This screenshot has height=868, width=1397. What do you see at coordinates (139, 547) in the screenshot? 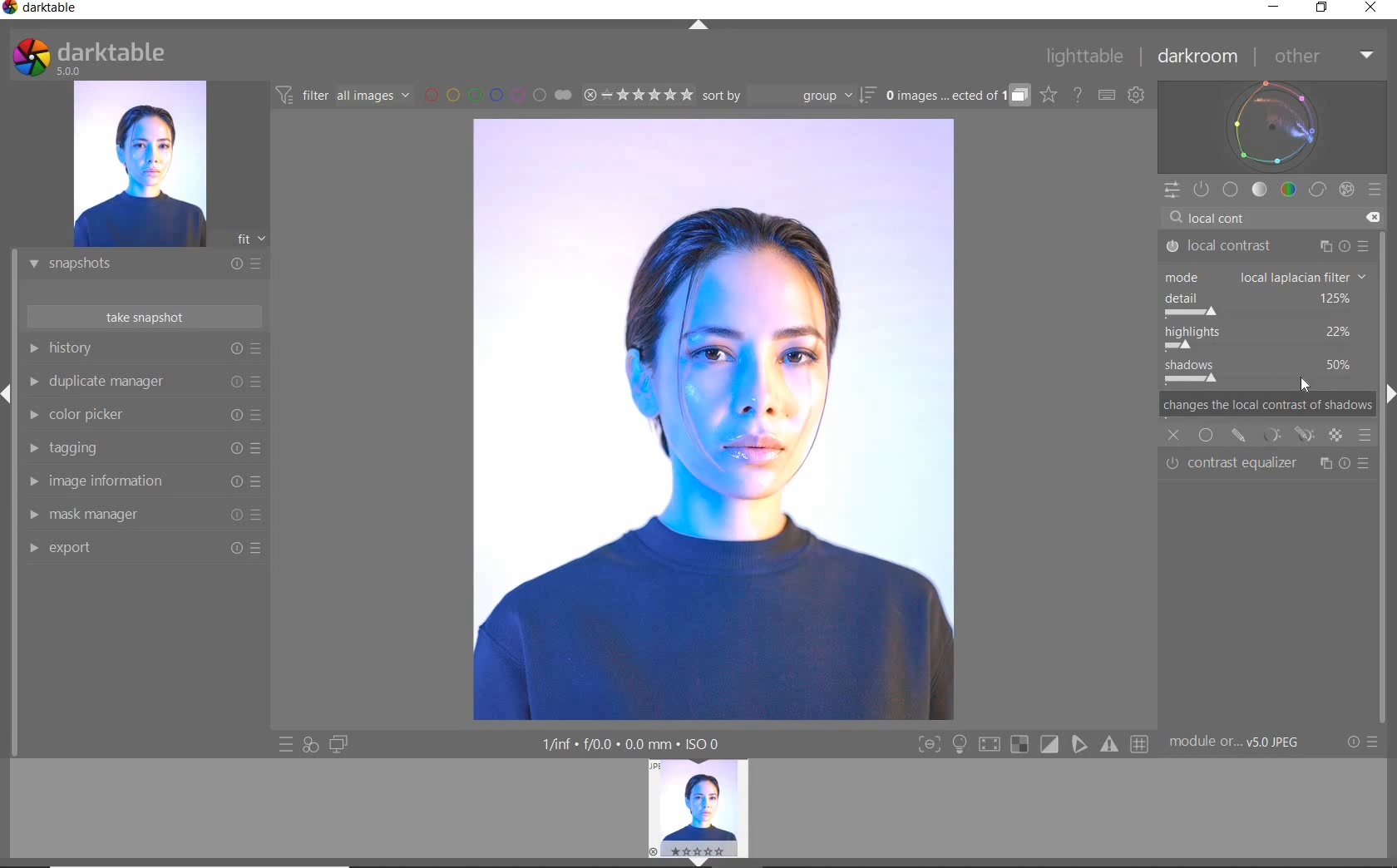
I see `EXPORT` at bounding box center [139, 547].